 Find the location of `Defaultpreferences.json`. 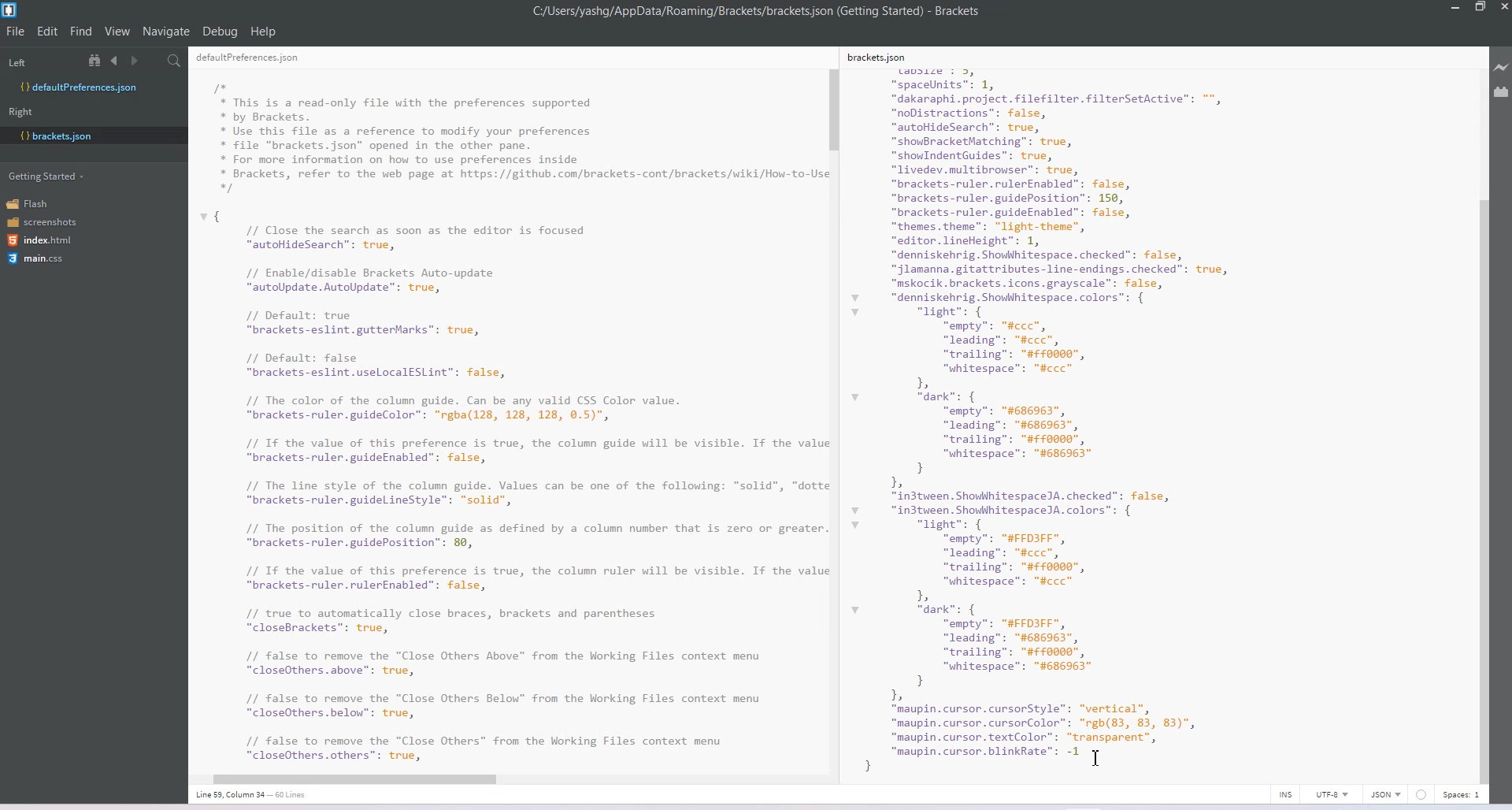

Defaultpreferences.json is located at coordinates (93, 87).